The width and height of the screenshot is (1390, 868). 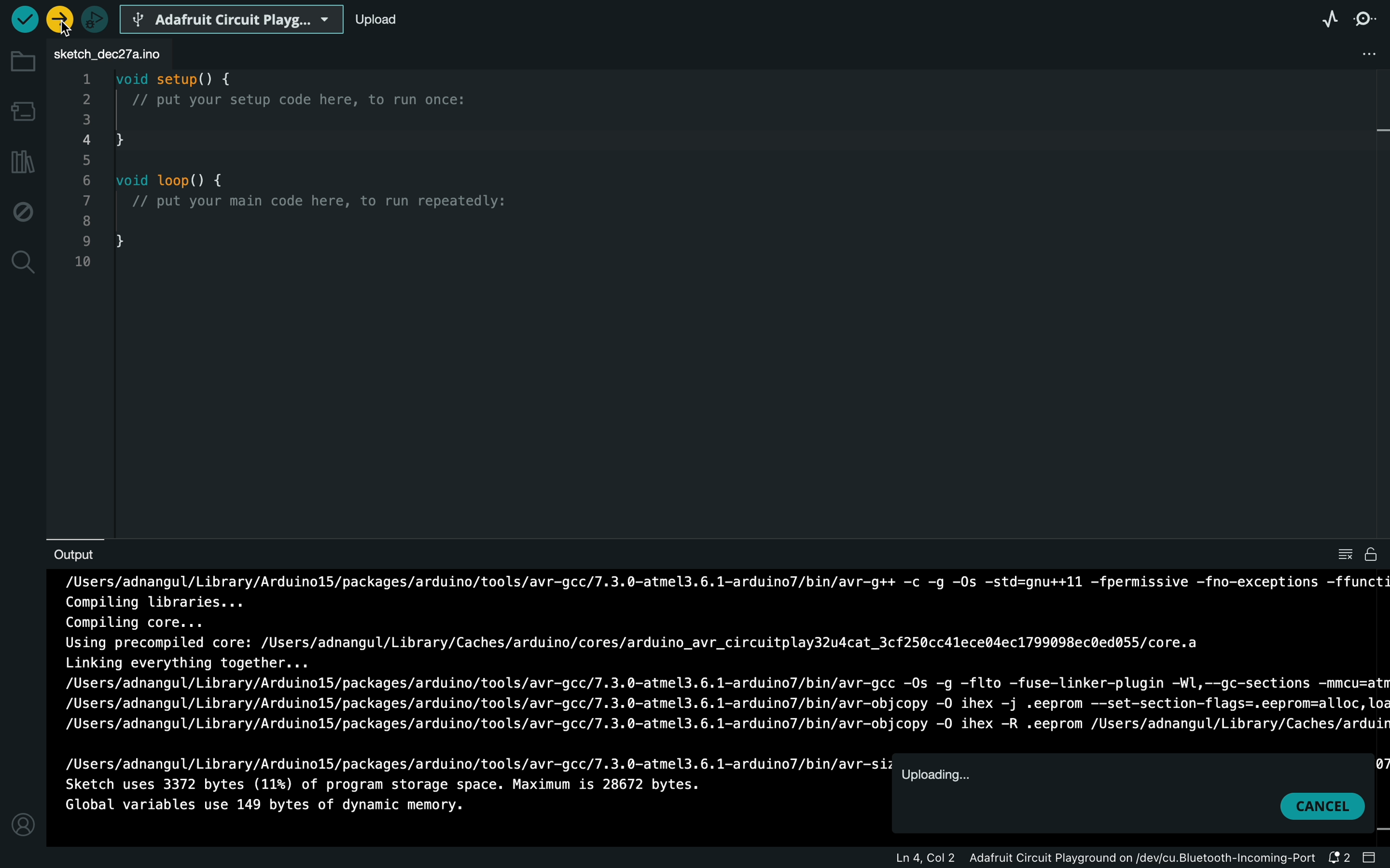 What do you see at coordinates (379, 19) in the screenshot?
I see `upload` at bounding box center [379, 19].